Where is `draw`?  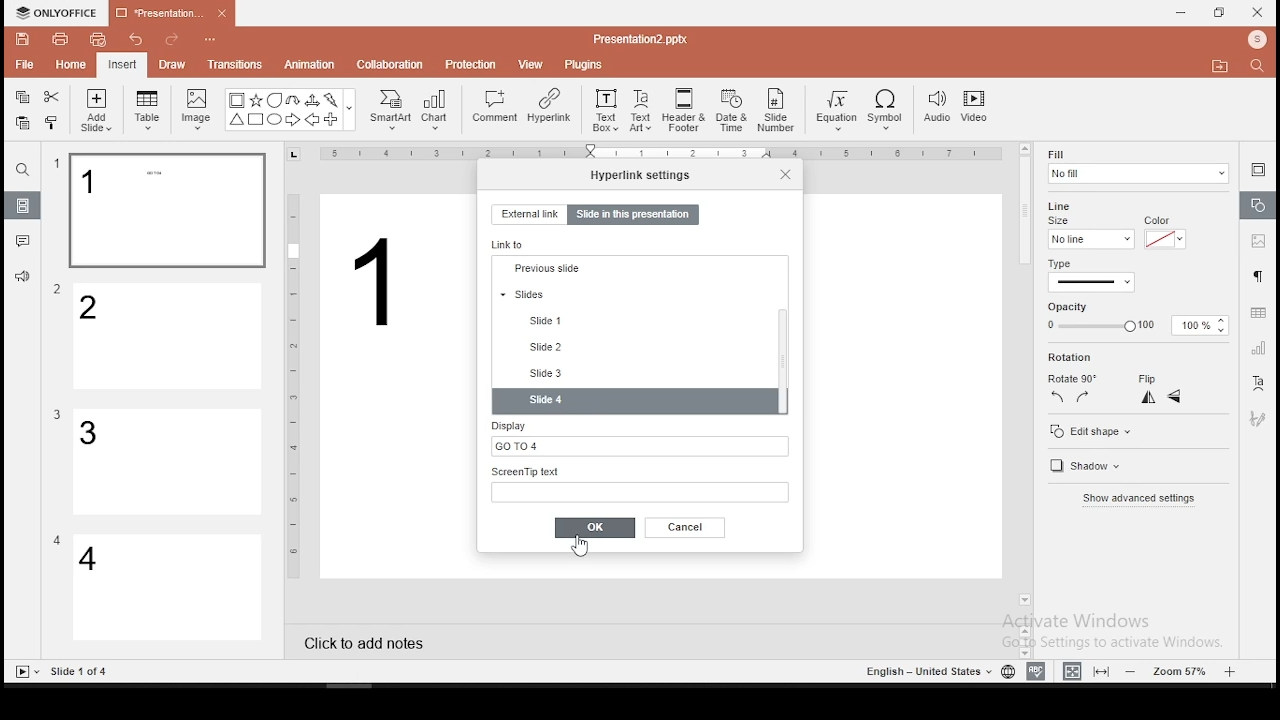 draw is located at coordinates (173, 64).